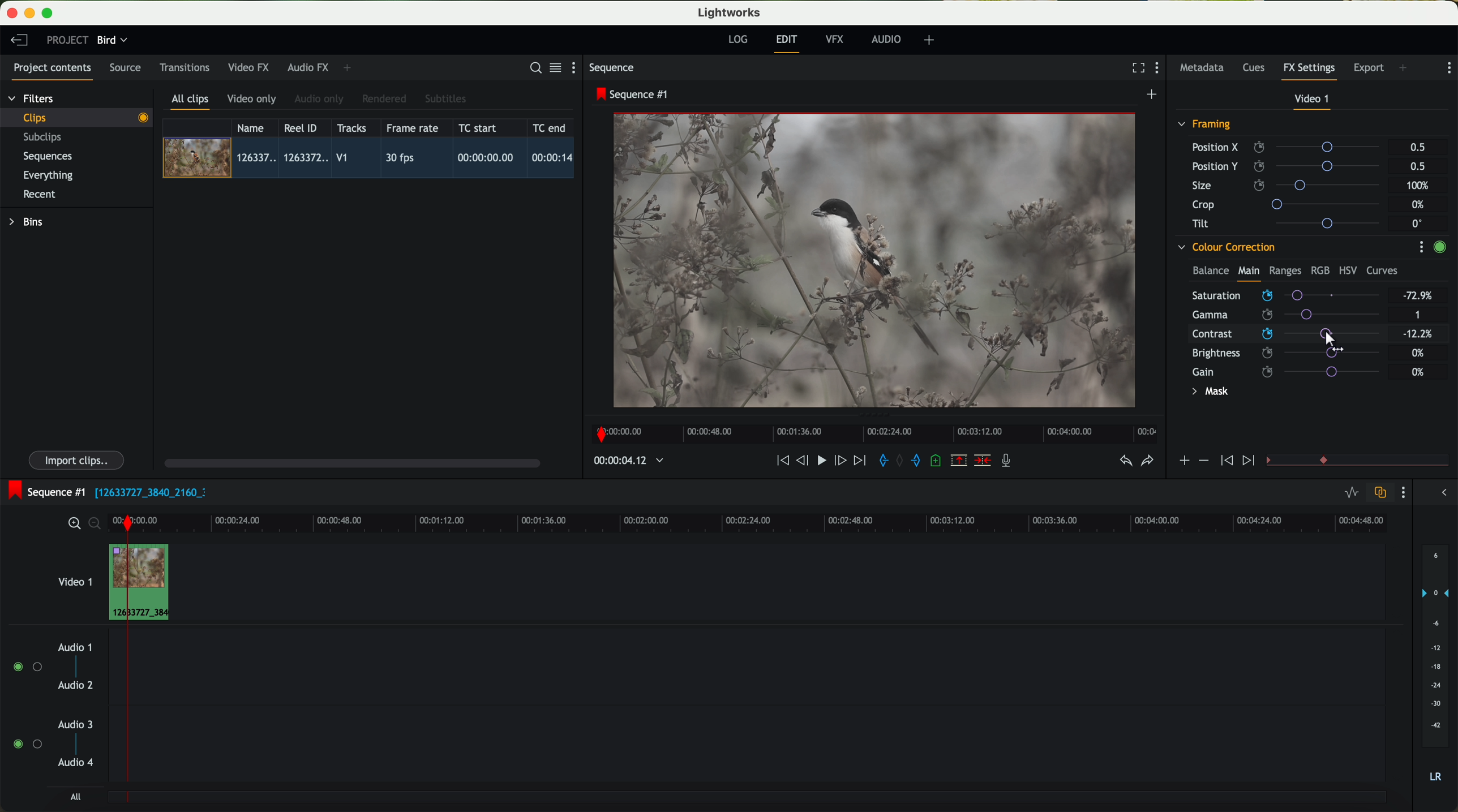 The width and height of the screenshot is (1458, 812). What do you see at coordinates (730, 12) in the screenshot?
I see `Lightworks` at bounding box center [730, 12].